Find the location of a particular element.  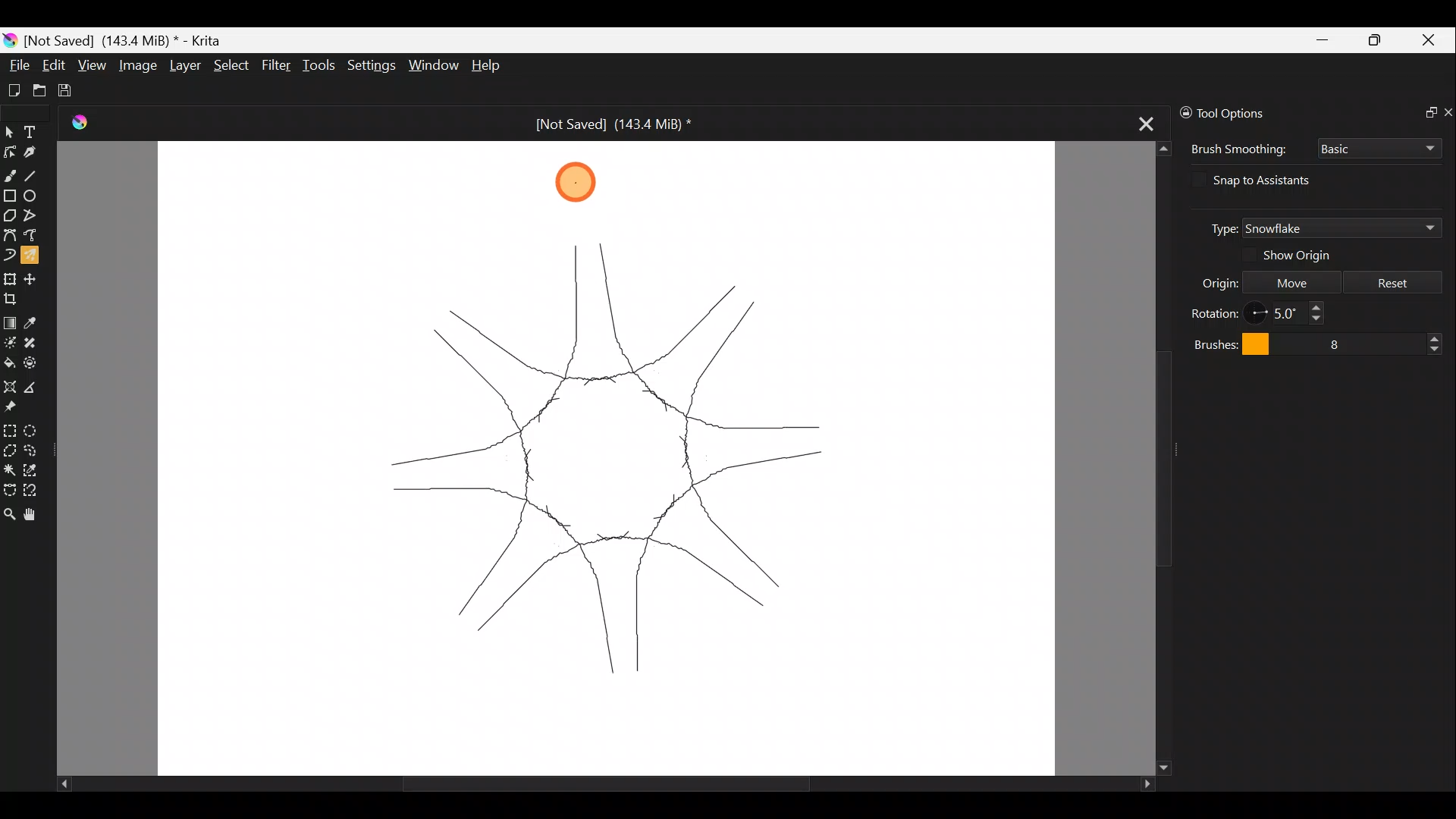

Assistant tool is located at coordinates (11, 387).